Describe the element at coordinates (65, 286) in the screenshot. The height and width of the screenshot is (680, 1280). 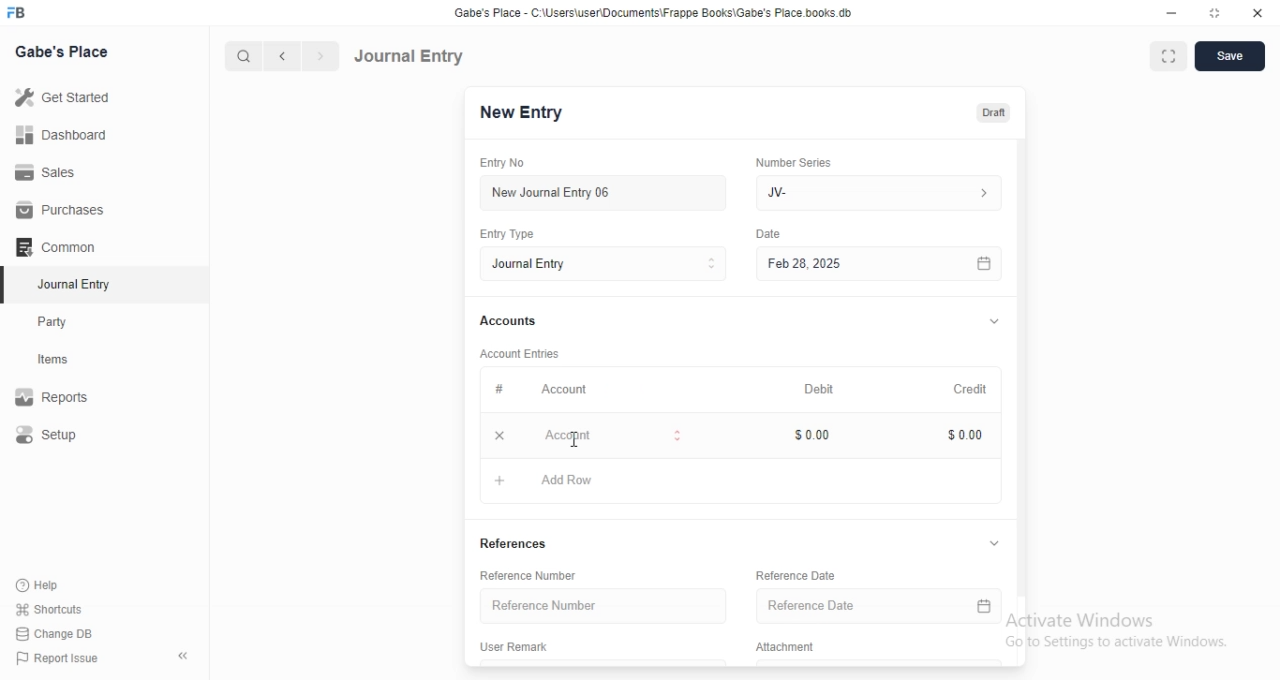
I see `Journal Entry` at that location.